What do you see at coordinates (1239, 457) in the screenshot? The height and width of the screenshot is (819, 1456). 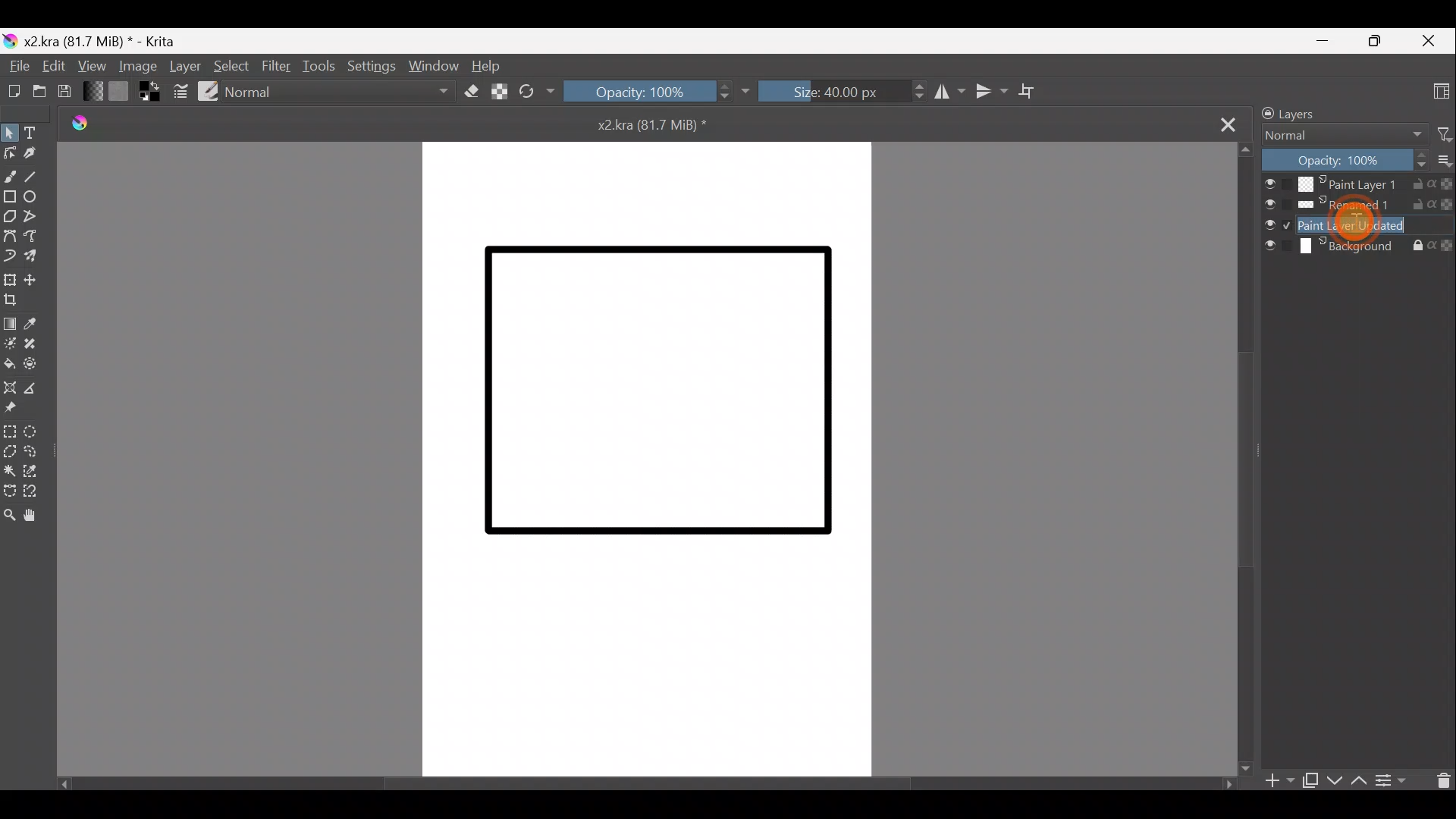 I see `Scroll bar` at bounding box center [1239, 457].